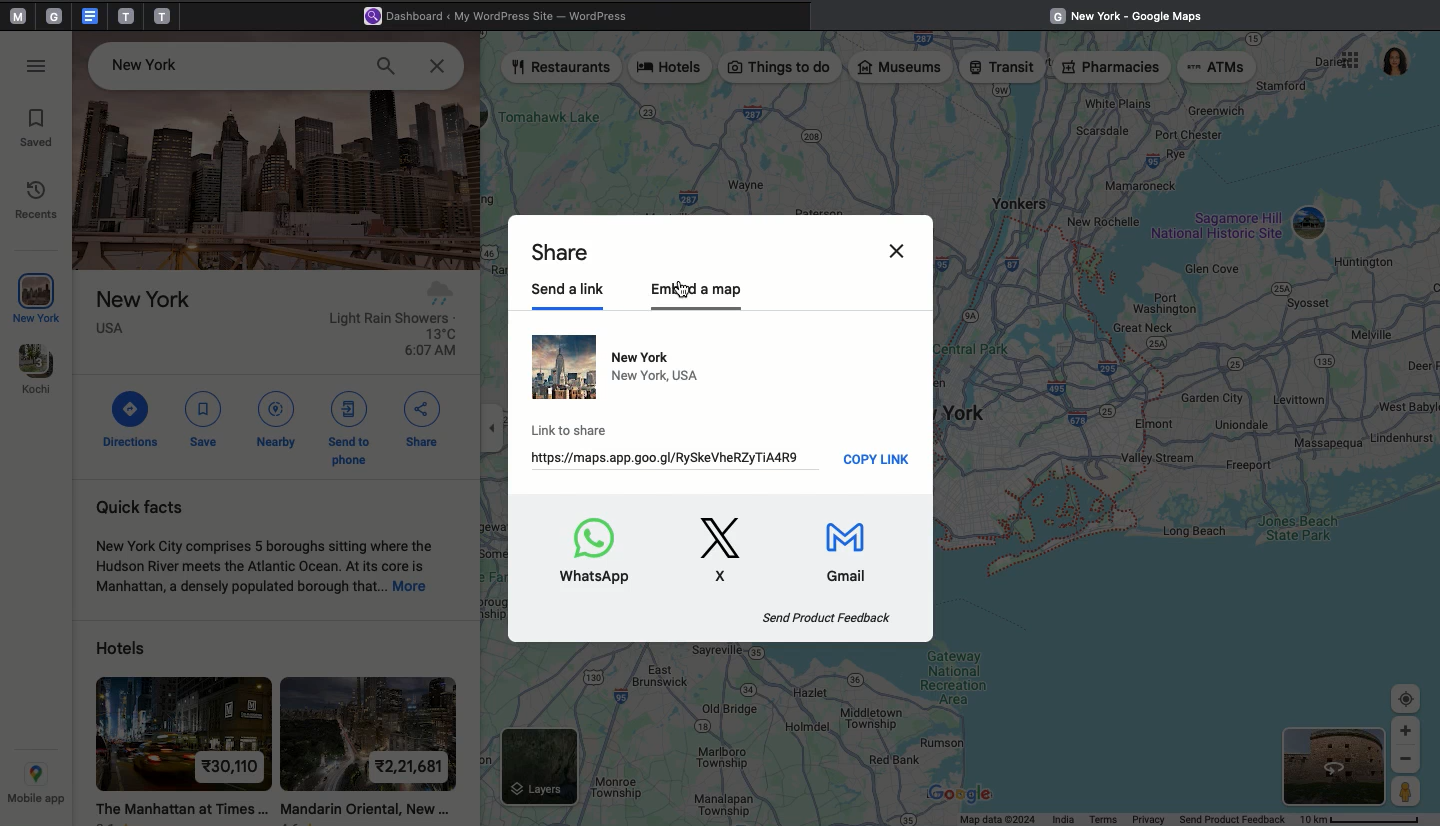 The image size is (1440, 826). I want to click on Kochi, so click(37, 370).